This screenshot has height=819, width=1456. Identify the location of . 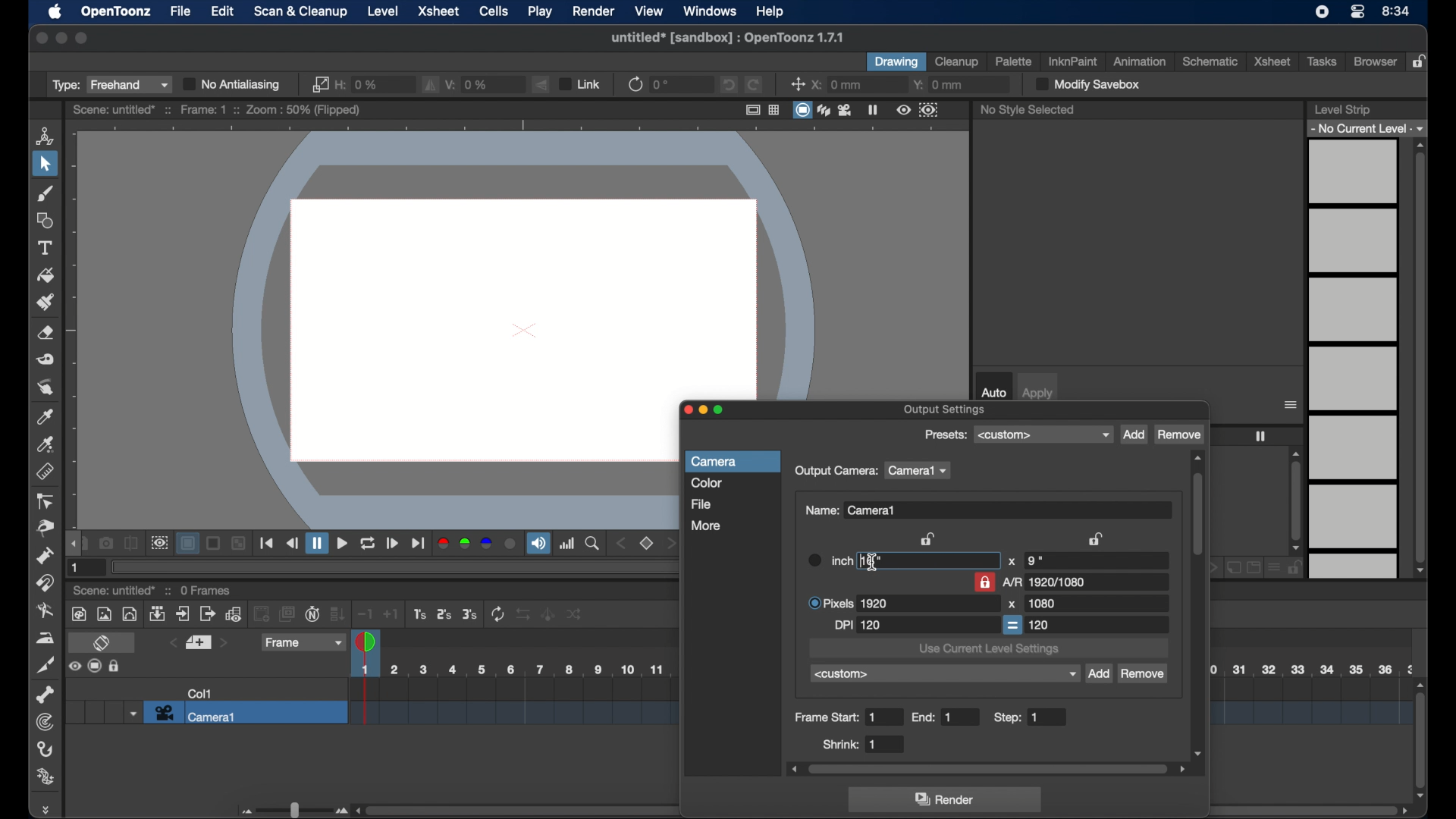
(1097, 539).